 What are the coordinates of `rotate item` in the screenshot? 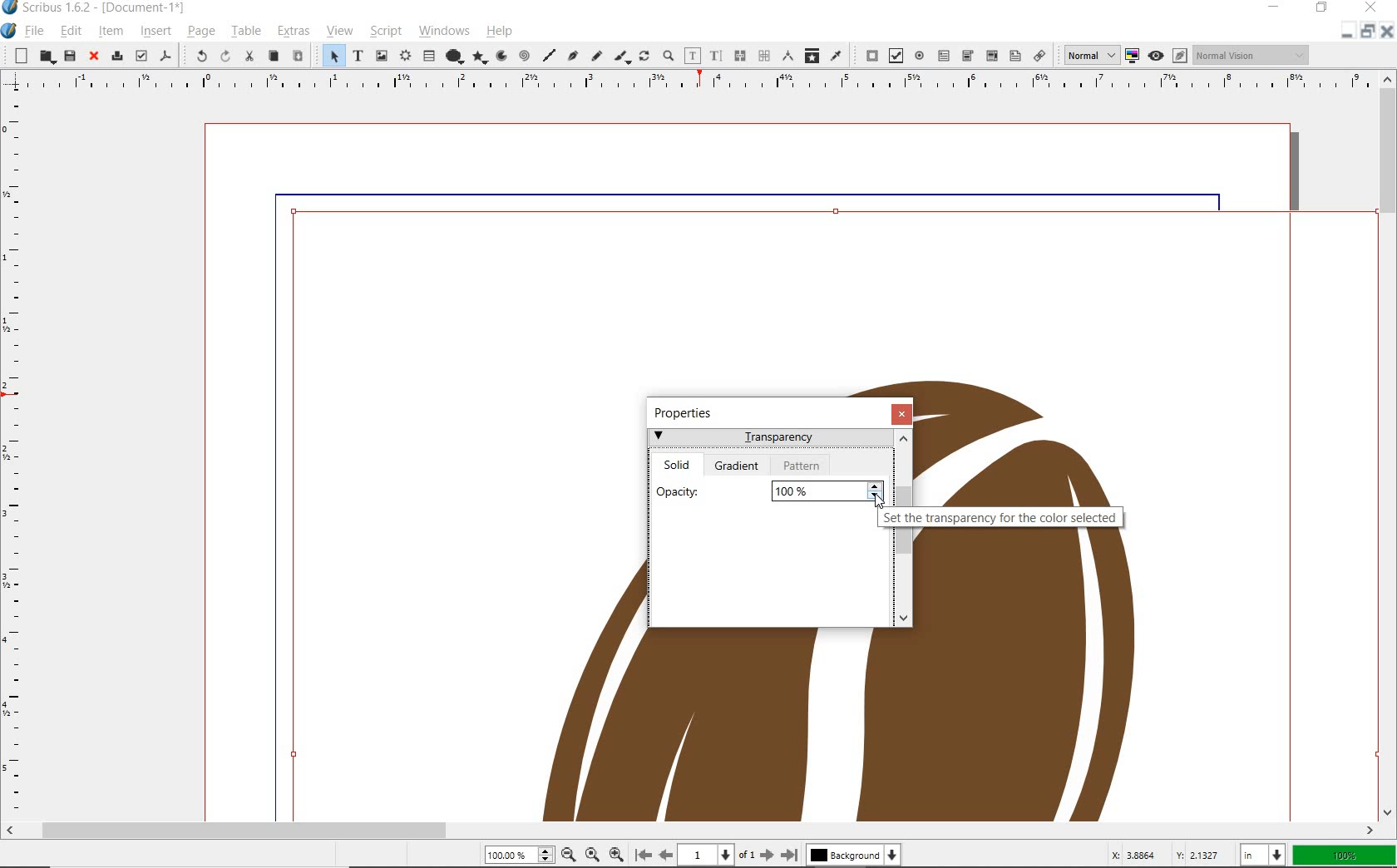 It's located at (644, 55).